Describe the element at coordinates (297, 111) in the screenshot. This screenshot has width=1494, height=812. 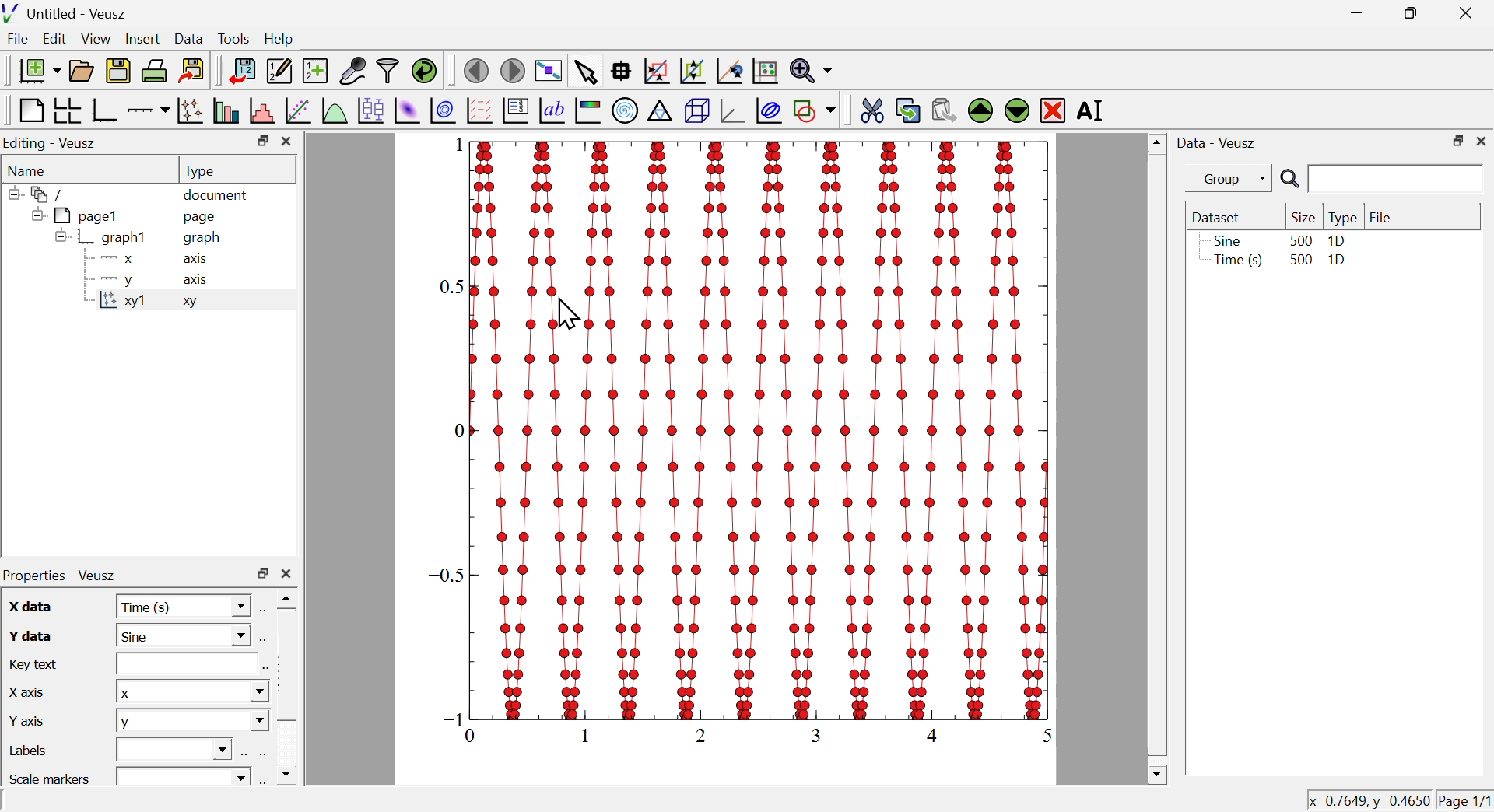
I see `fit a function to data` at that location.